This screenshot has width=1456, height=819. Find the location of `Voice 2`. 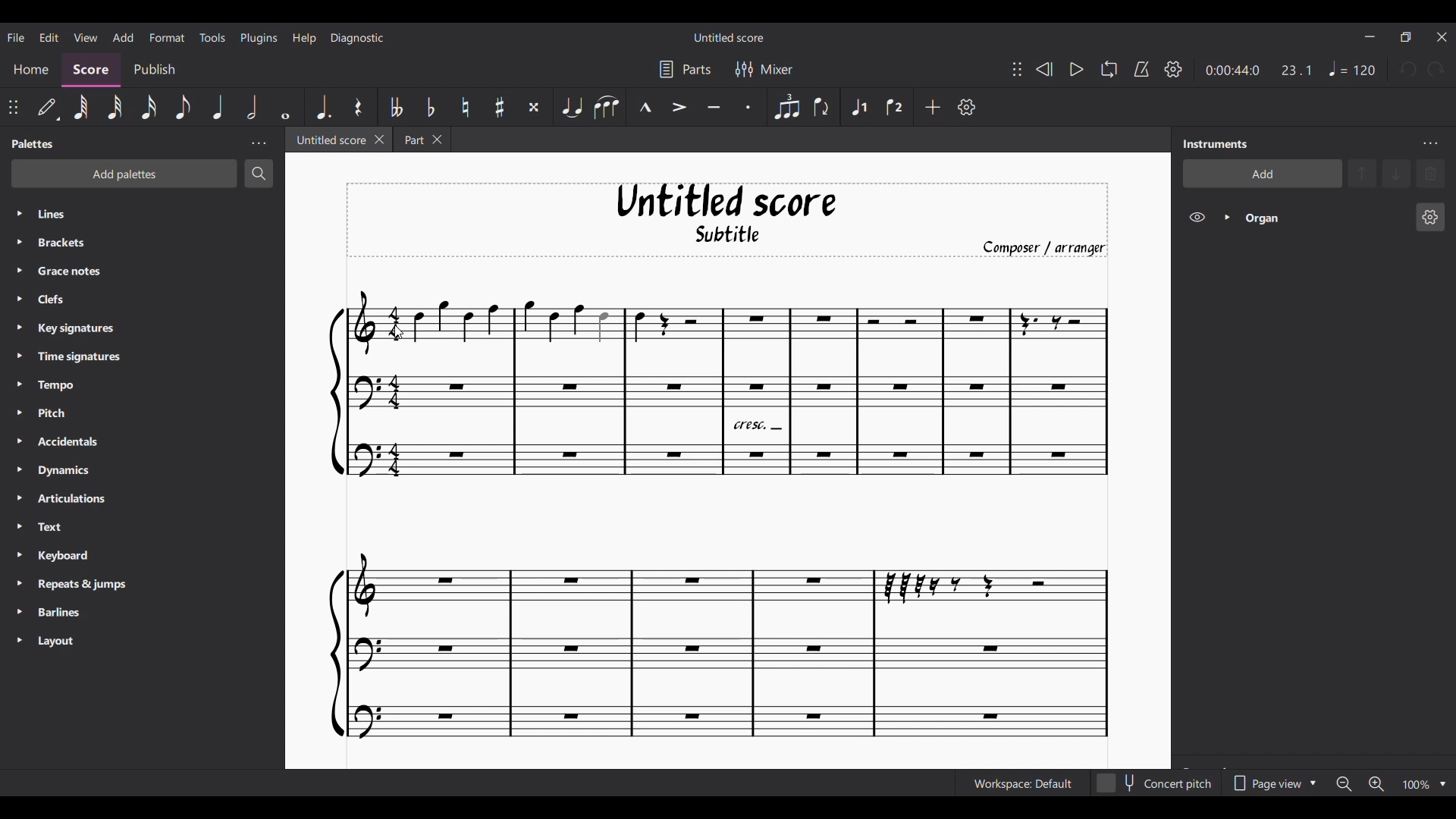

Voice 2 is located at coordinates (894, 106).